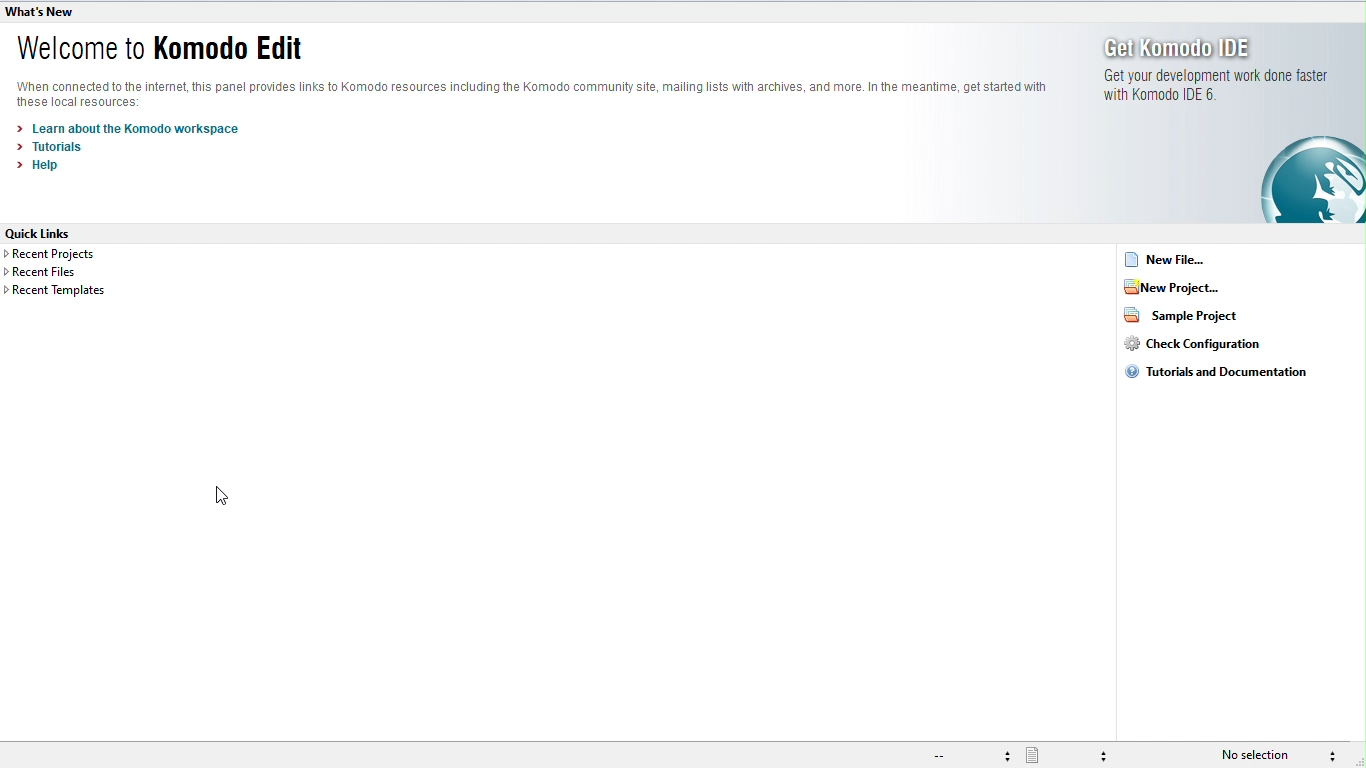 This screenshot has width=1366, height=768. What do you see at coordinates (1193, 316) in the screenshot?
I see `sample project` at bounding box center [1193, 316].